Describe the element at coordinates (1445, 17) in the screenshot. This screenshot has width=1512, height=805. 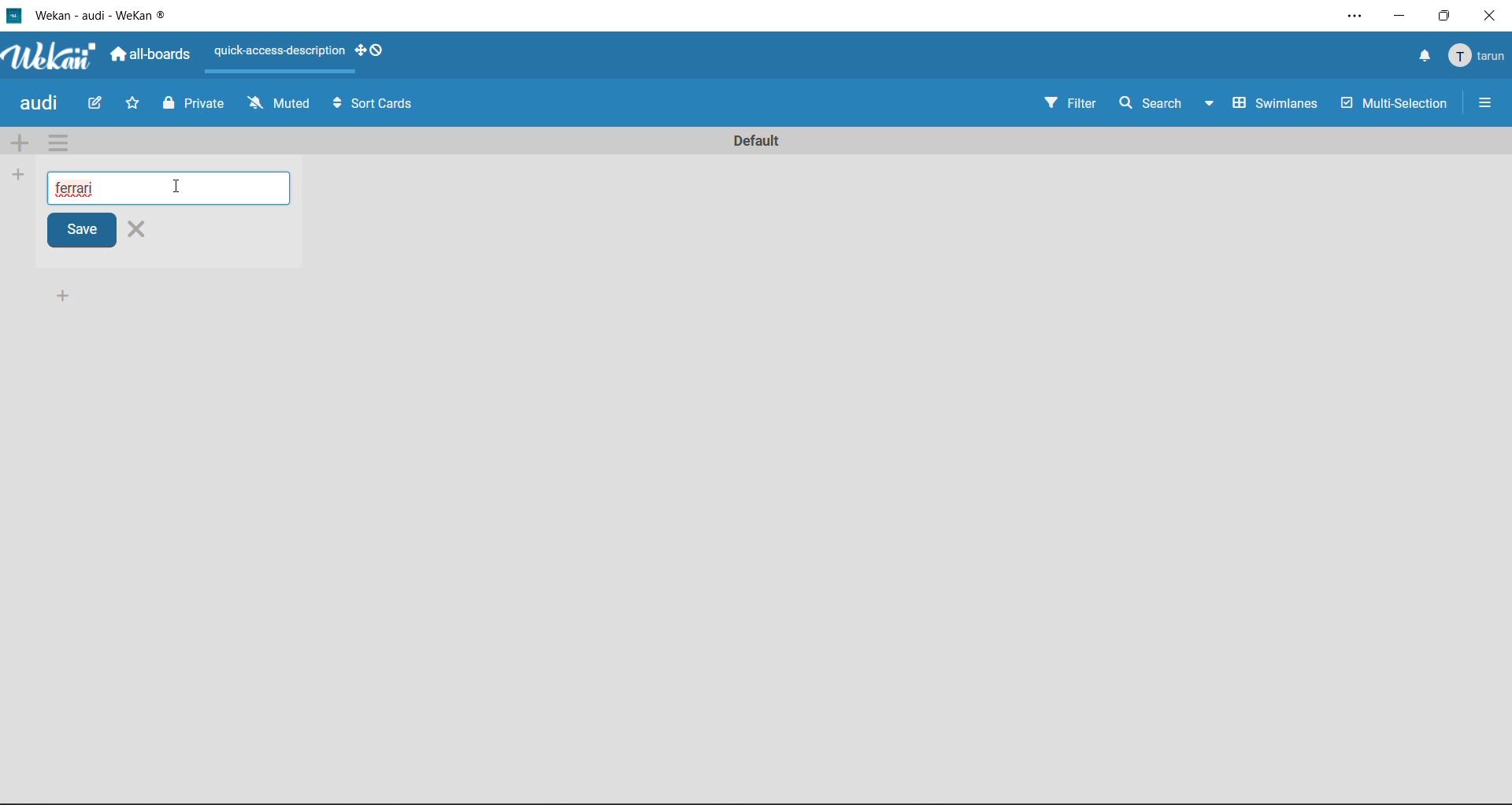
I see `maximize` at that location.